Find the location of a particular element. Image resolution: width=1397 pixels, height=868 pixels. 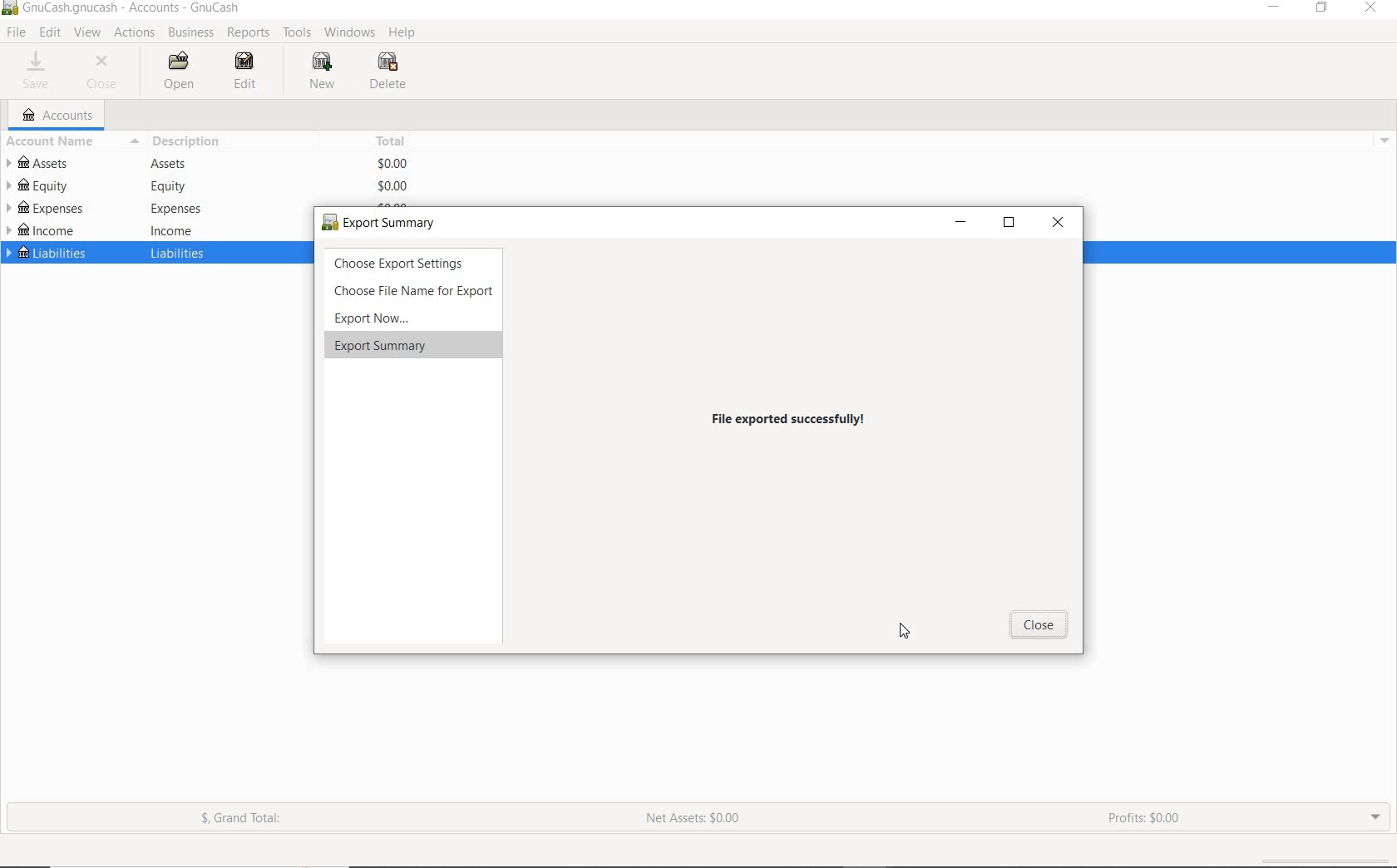

TOOLS is located at coordinates (298, 33).